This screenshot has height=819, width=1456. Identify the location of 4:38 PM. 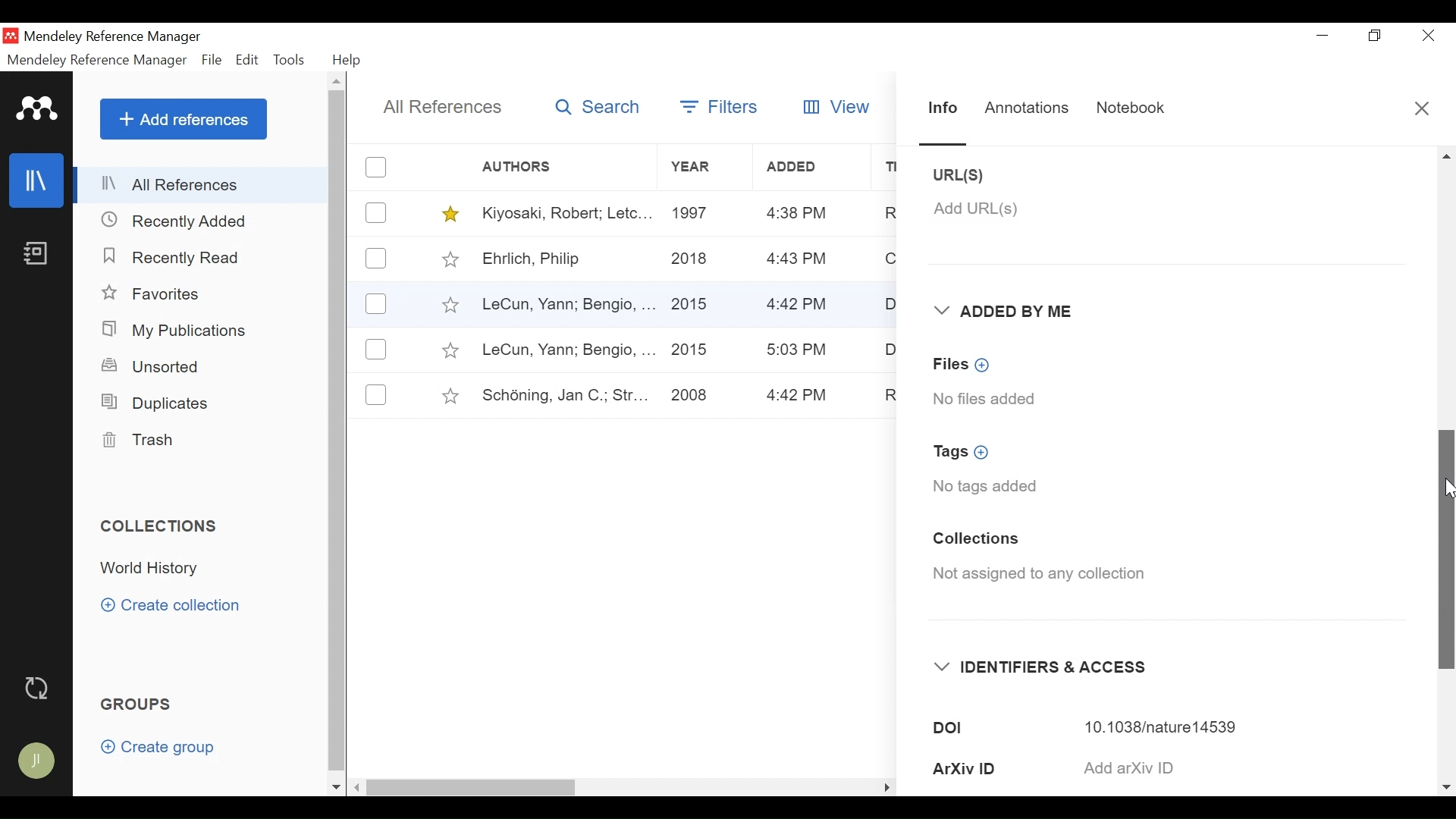
(797, 214).